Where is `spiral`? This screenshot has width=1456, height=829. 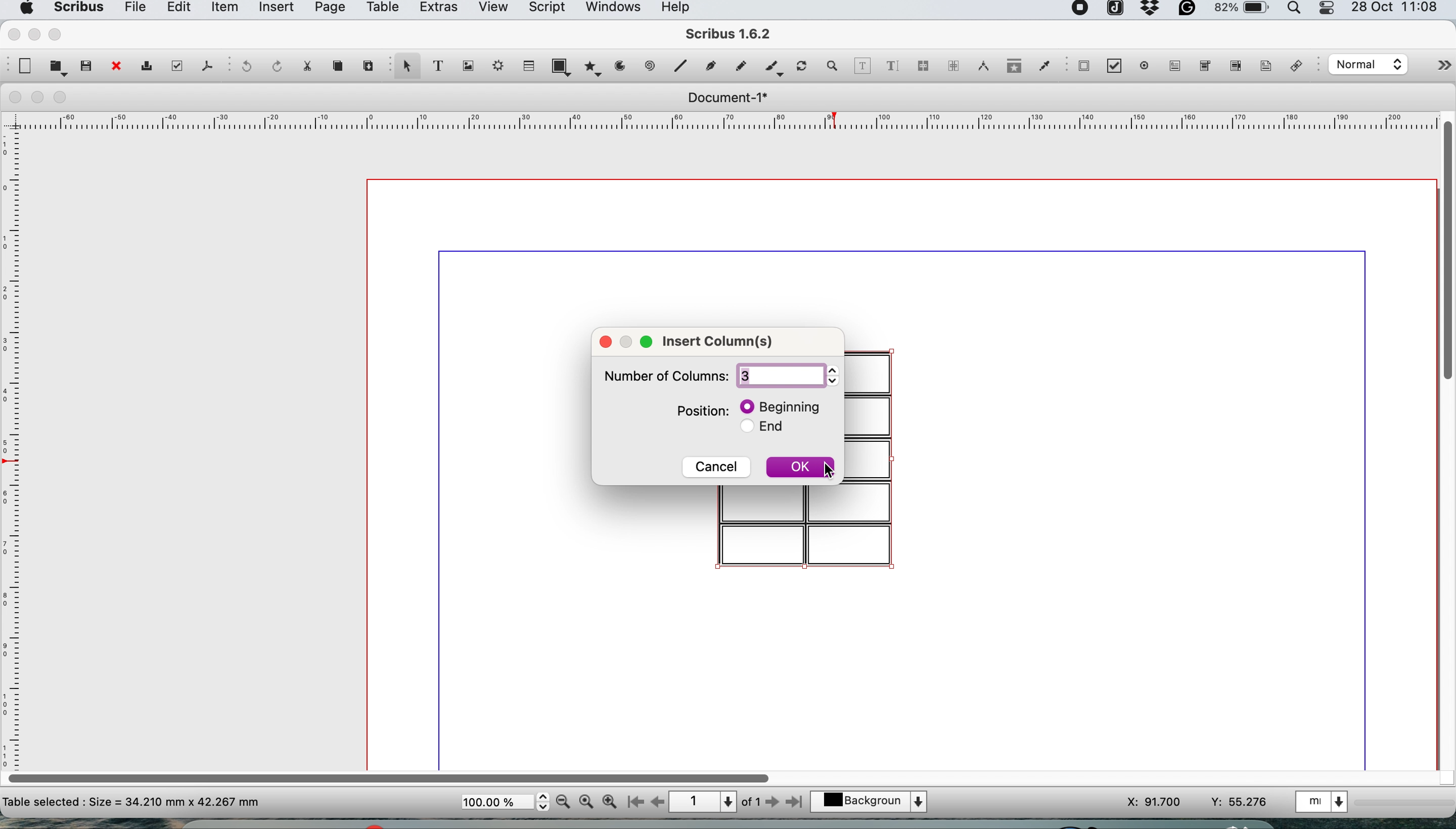 spiral is located at coordinates (651, 65).